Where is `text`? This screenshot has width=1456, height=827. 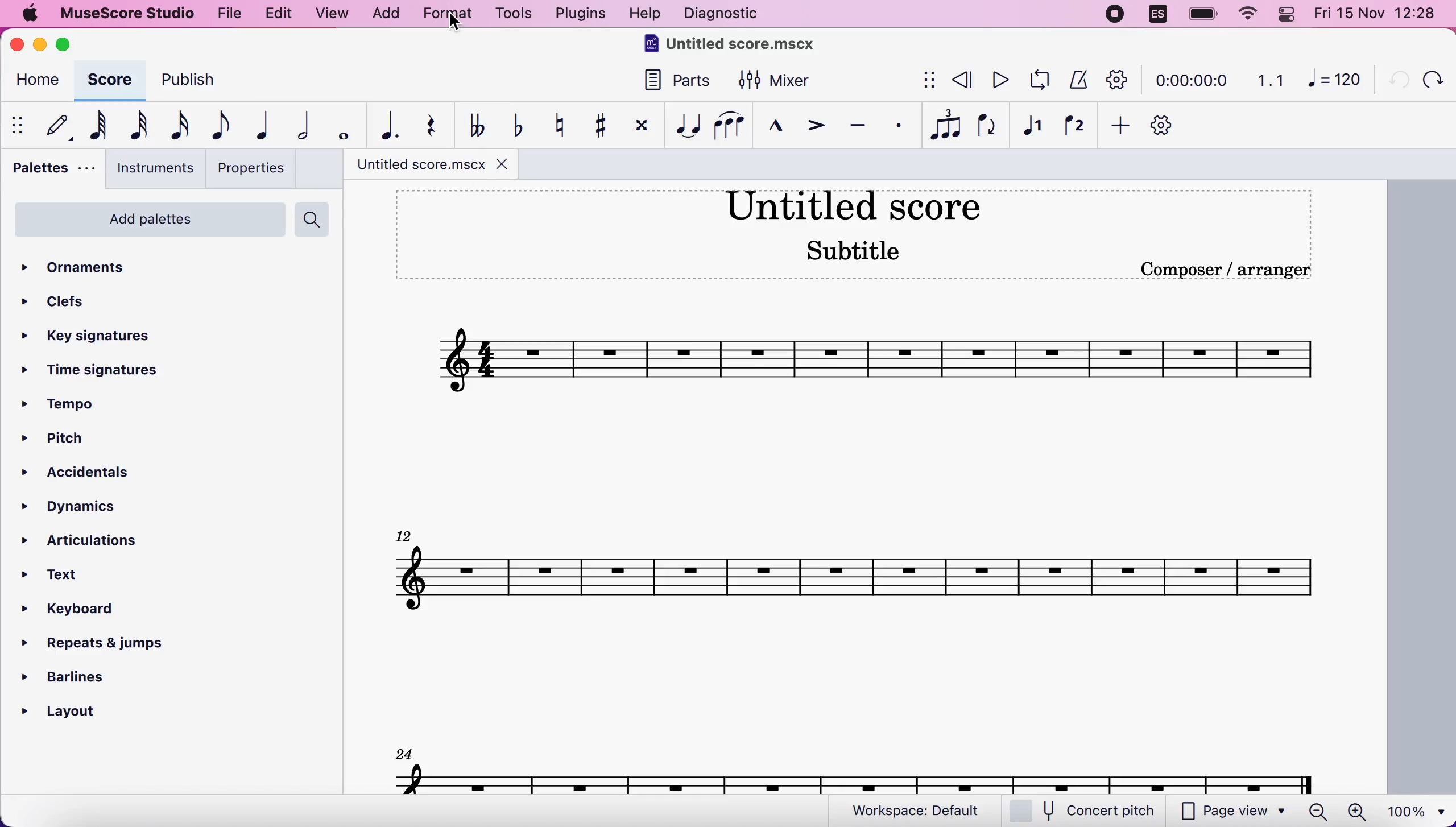
text is located at coordinates (64, 576).